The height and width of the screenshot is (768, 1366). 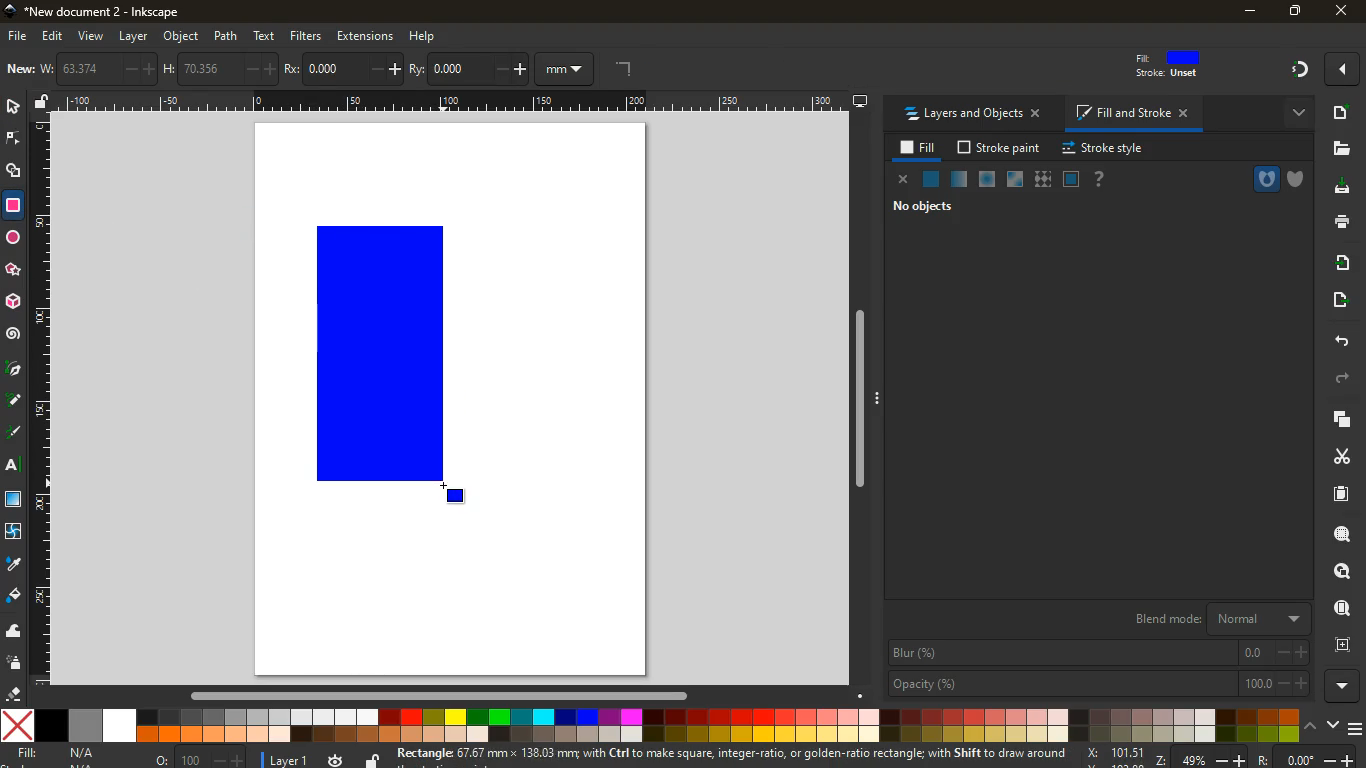 What do you see at coordinates (39, 400) in the screenshot?
I see `Horizontal Margin` at bounding box center [39, 400].